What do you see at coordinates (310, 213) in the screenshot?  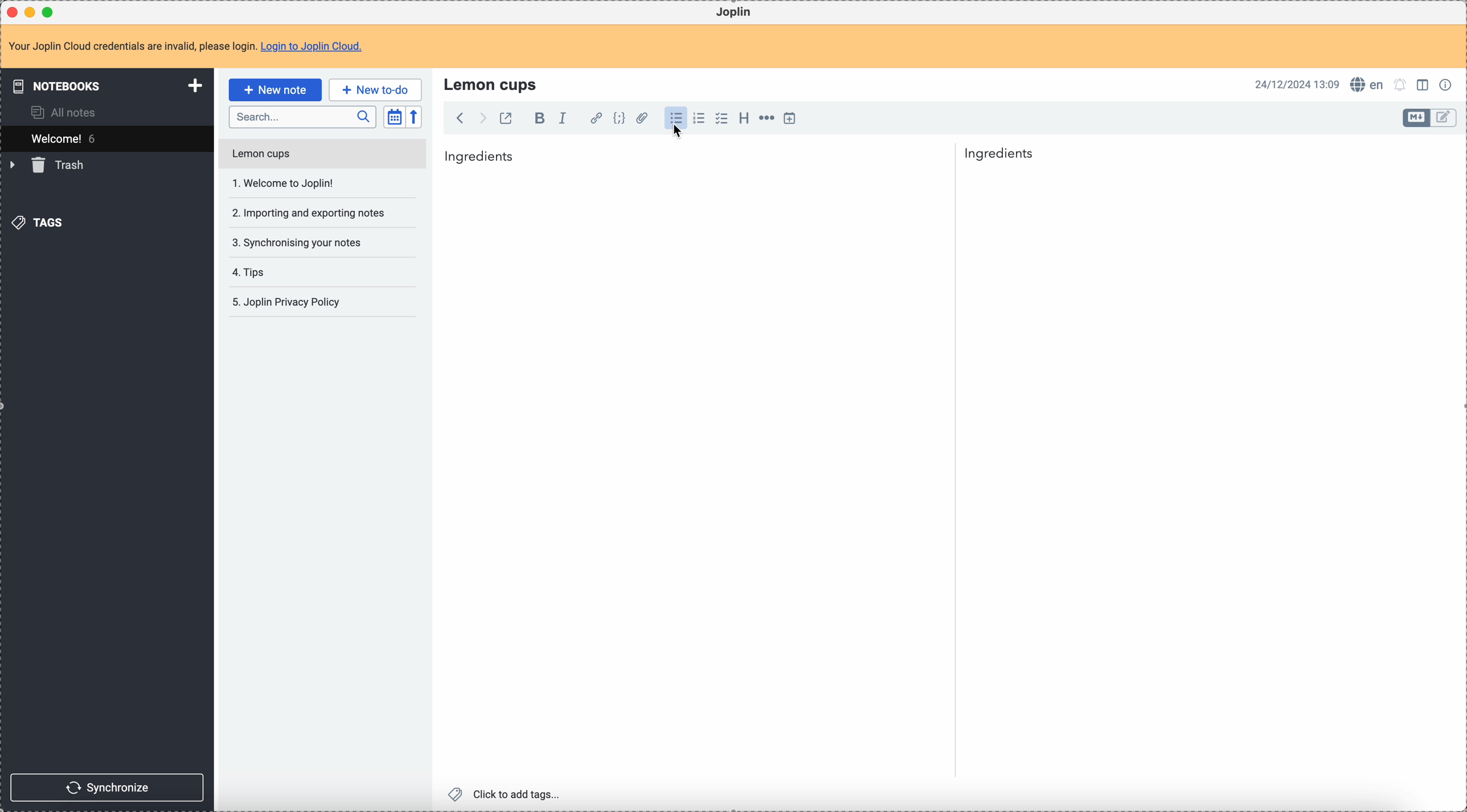 I see `importing and exporting your notes` at bounding box center [310, 213].